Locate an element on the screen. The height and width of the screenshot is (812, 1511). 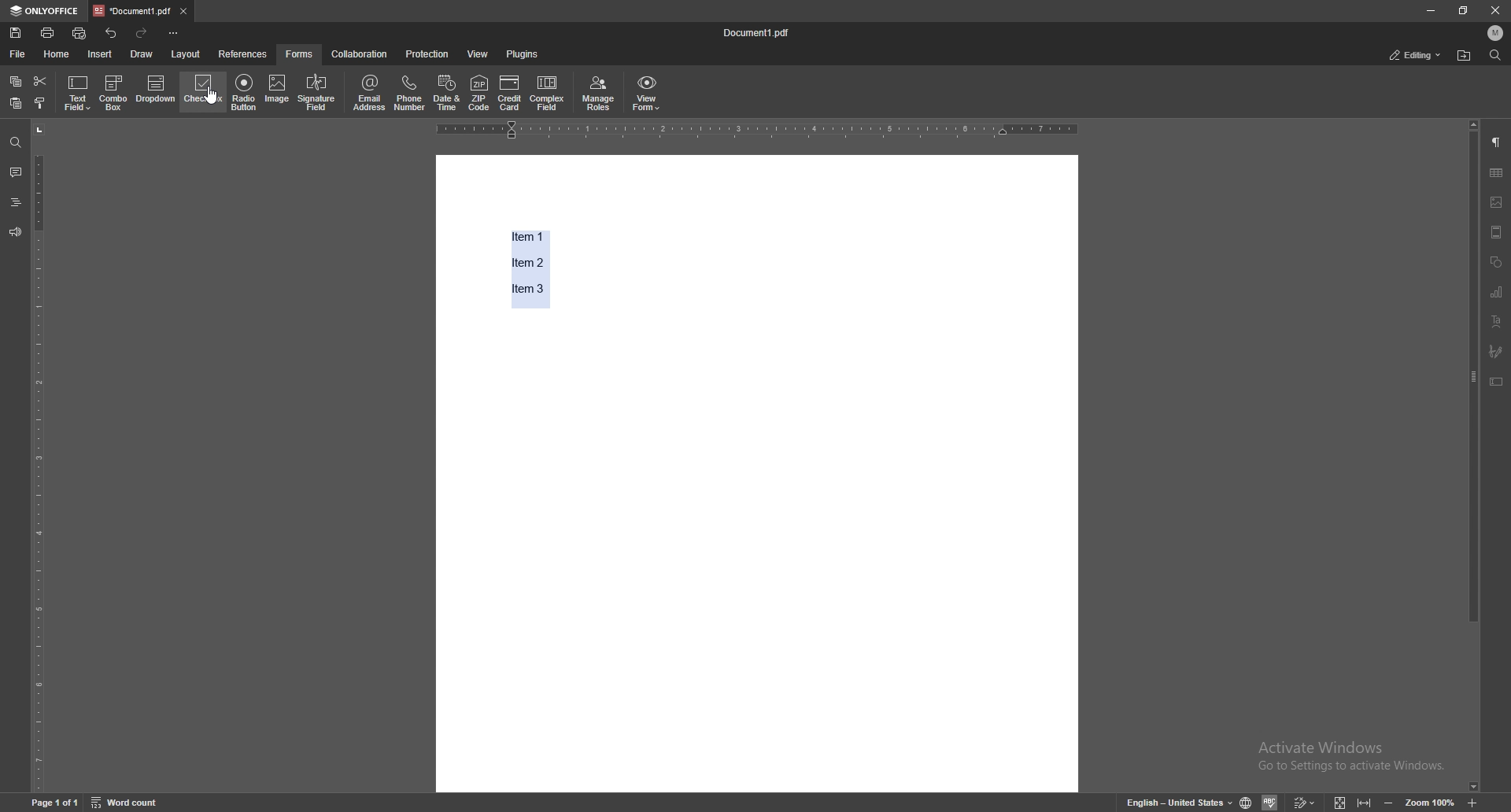
combo box is located at coordinates (113, 94).